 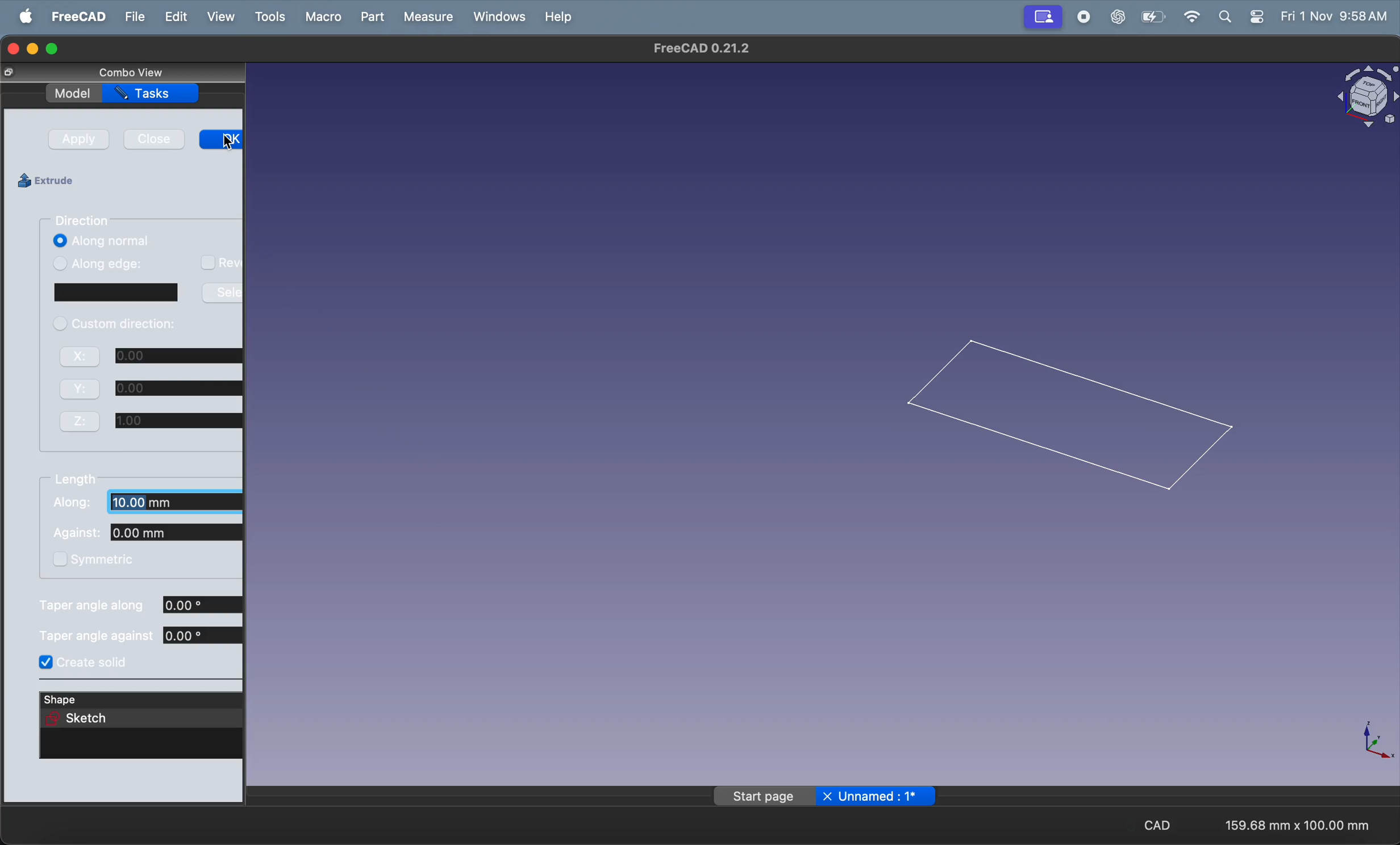 What do you see at coordinates (129, 16) in the screenshot?
I see `file` at bounding box center [129, 16].